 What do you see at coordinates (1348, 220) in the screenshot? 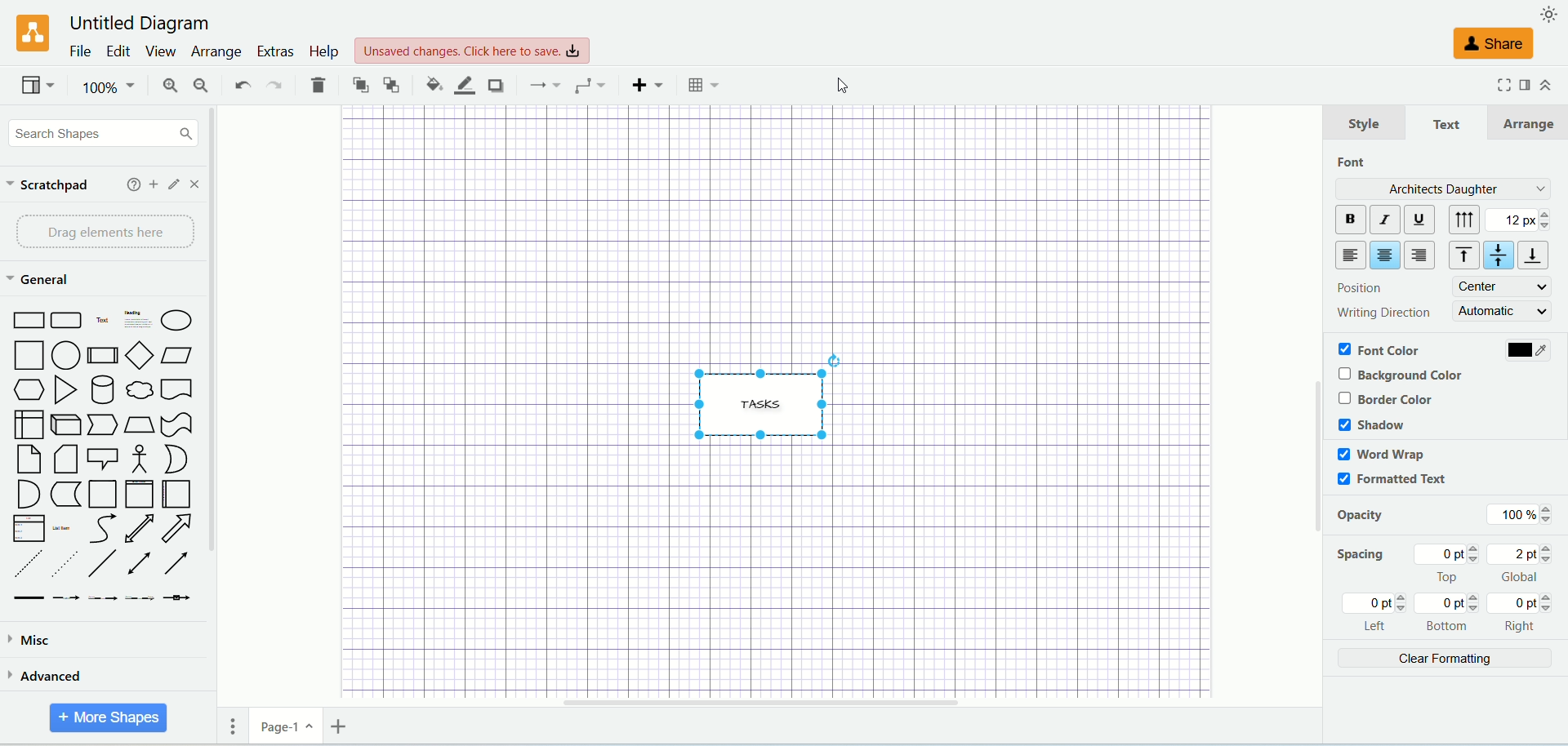
I see `bold` at bounding box center [1348, 220].